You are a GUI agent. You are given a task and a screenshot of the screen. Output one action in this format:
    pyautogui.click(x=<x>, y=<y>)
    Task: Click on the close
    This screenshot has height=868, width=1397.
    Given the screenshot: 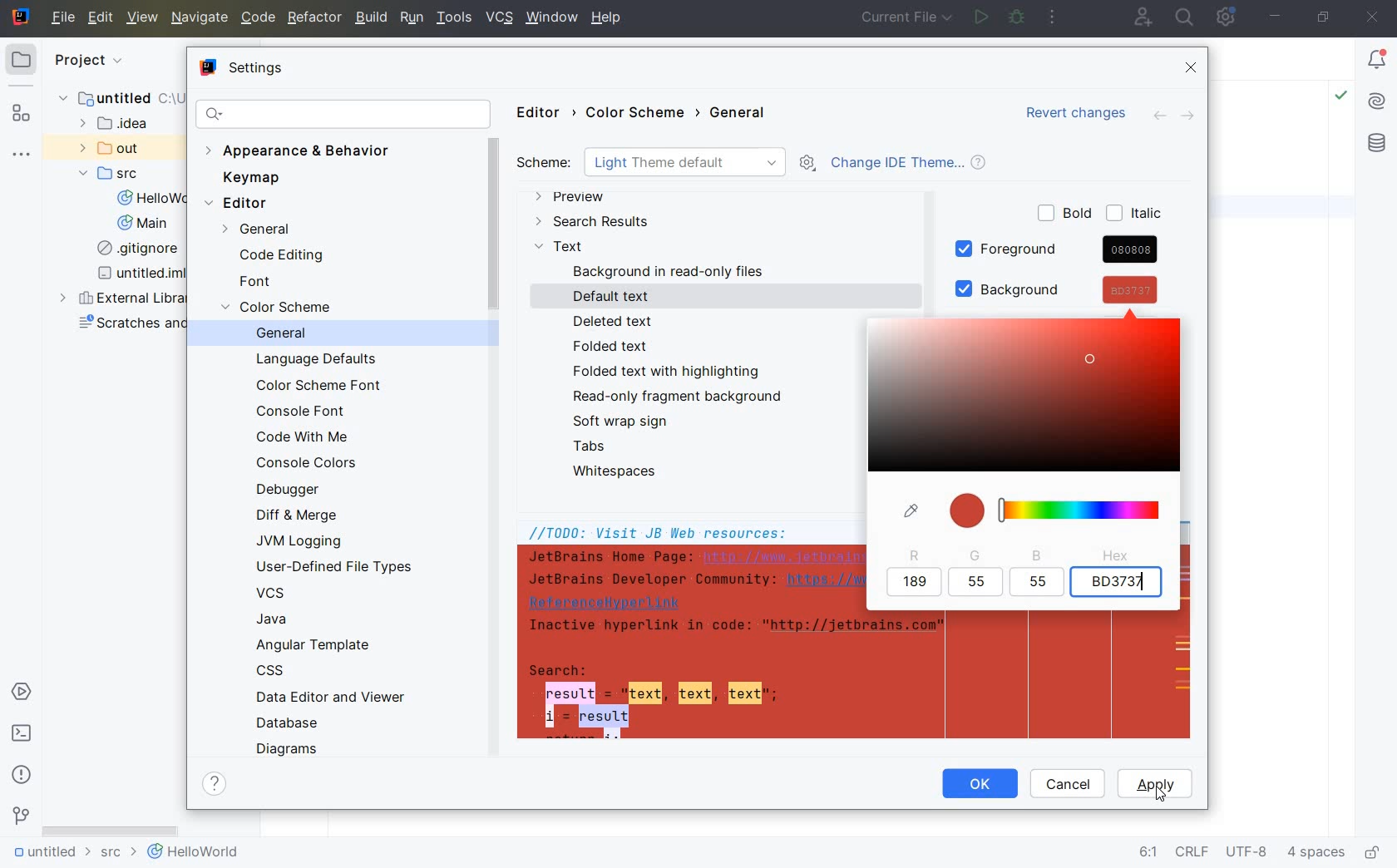 What is the action you would take?
    pyautogui.click(x=1373, y=18)
    